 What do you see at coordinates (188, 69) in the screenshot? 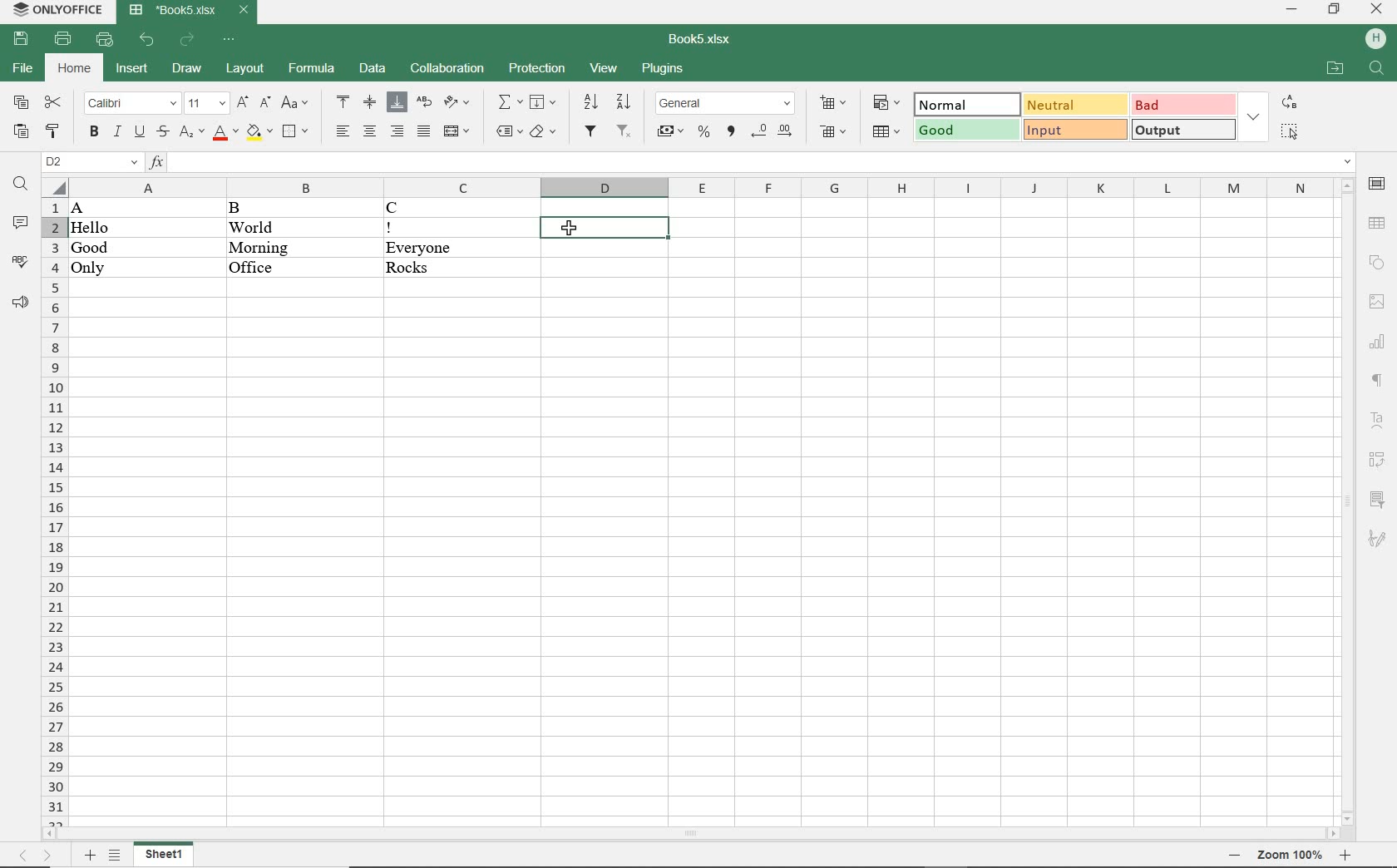
I see `DRAW` at bounding box center [188, 69].